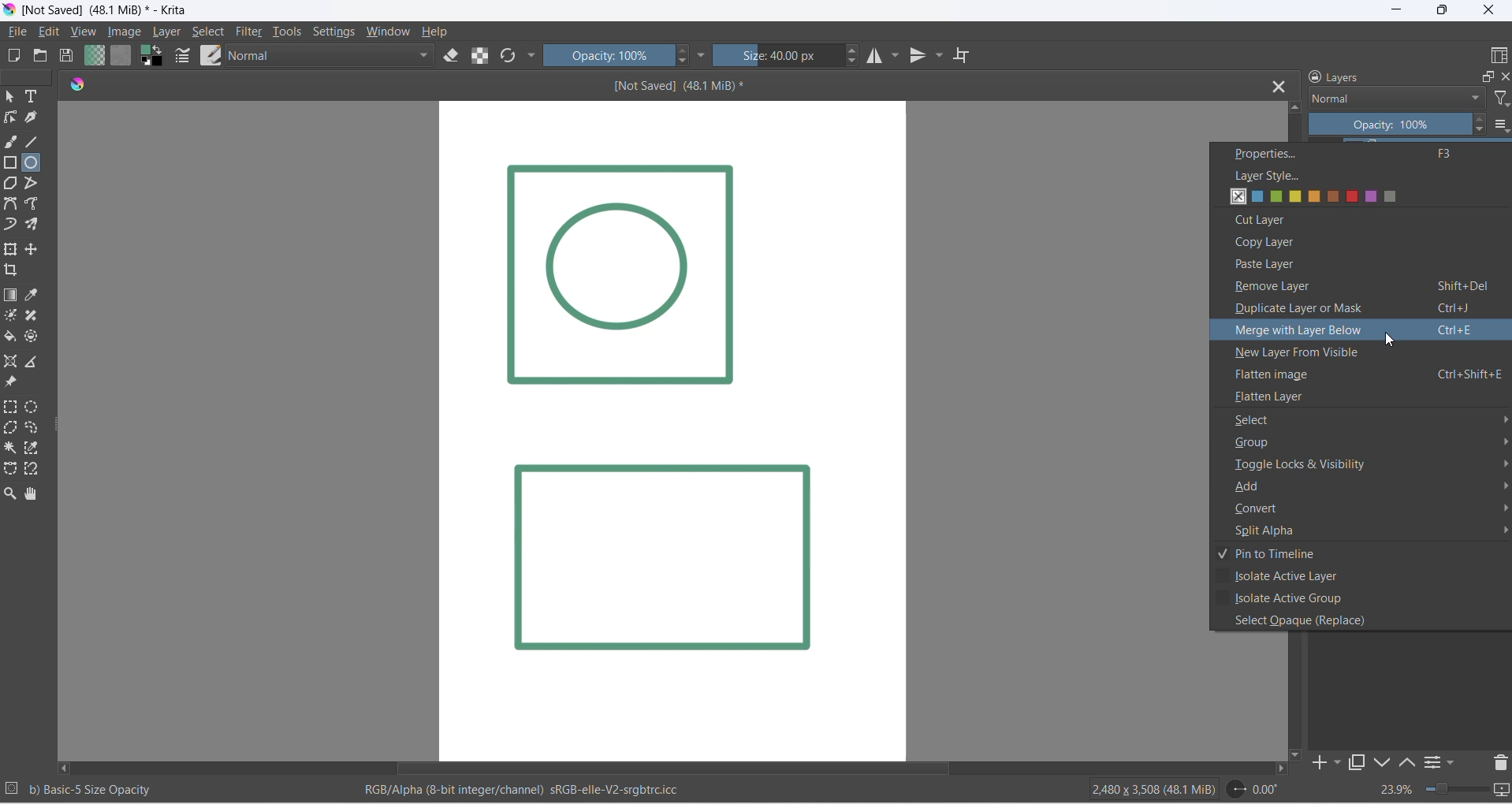 The height and width of the screenshot is (804, 1512). Describe the element at coordinates (121, 57) in the screenshot. I see `fill patterns` at that location.